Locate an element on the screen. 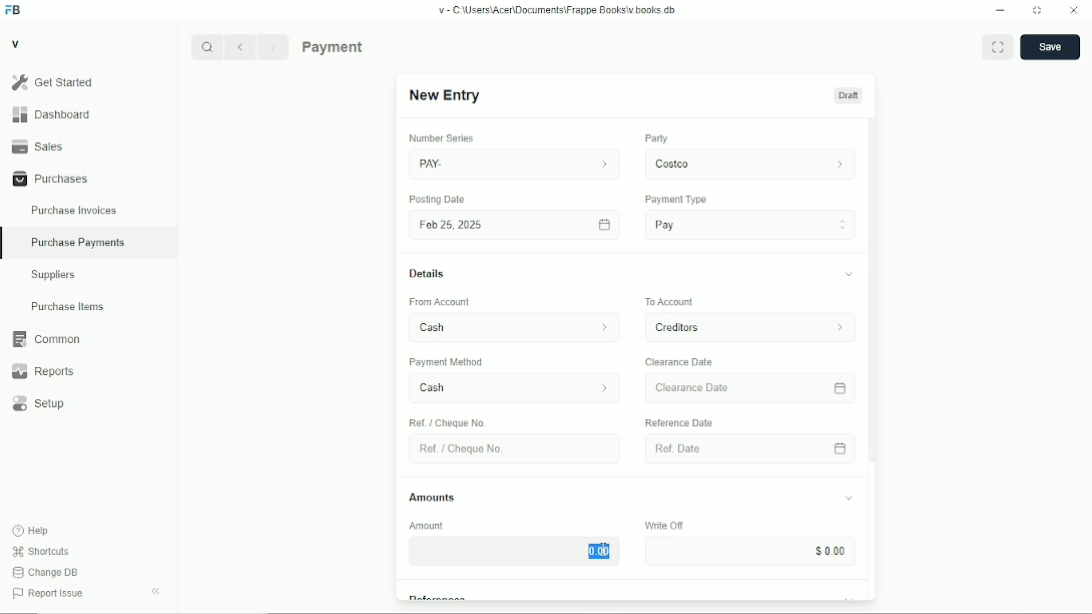 The height and width of the screenshot is (614, 1092). ‘From Account is located at coordinates (438, 303).